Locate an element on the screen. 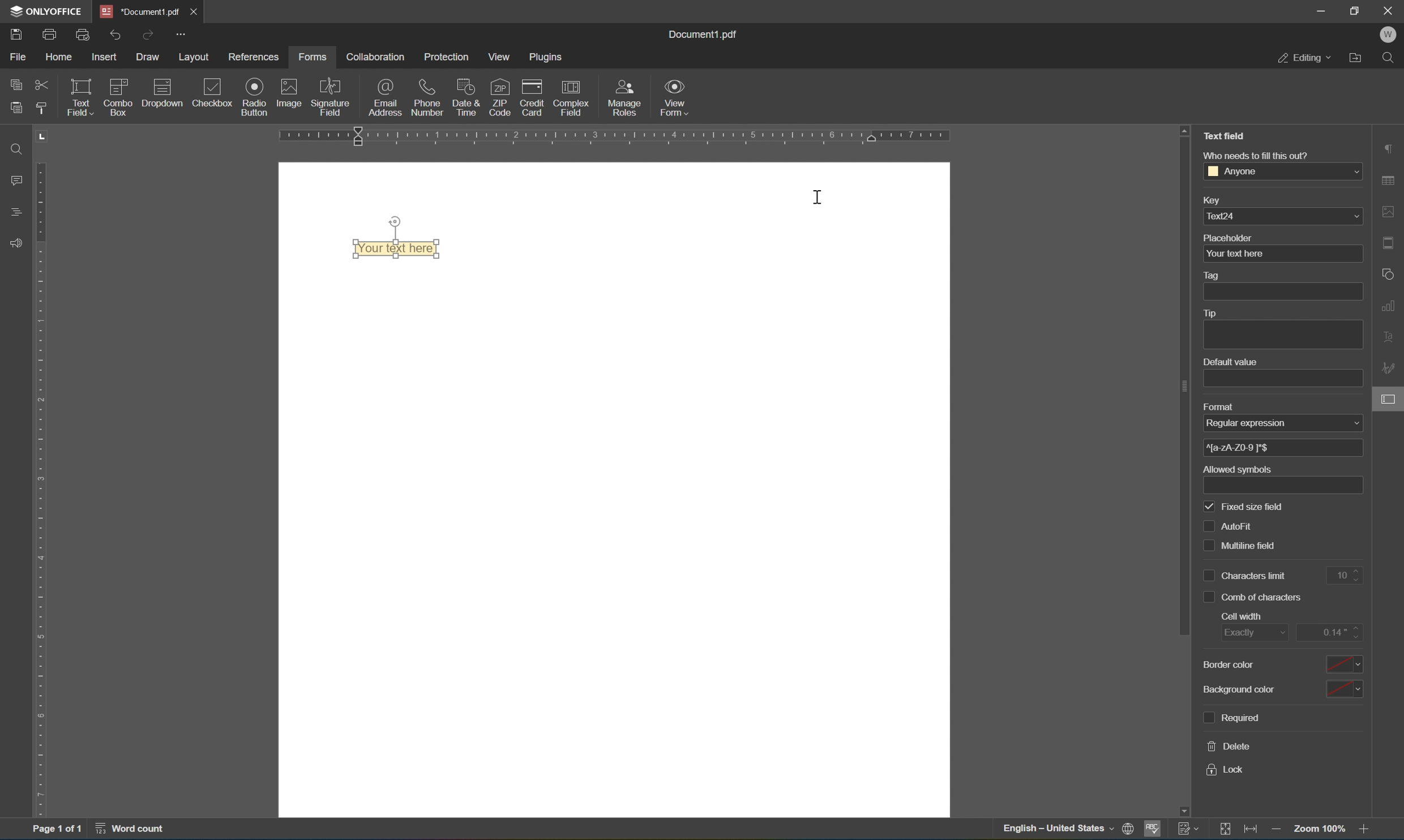 The width and height of the screenshot is (1404, 840). scroll bar is located at coordinates (1184, 387).